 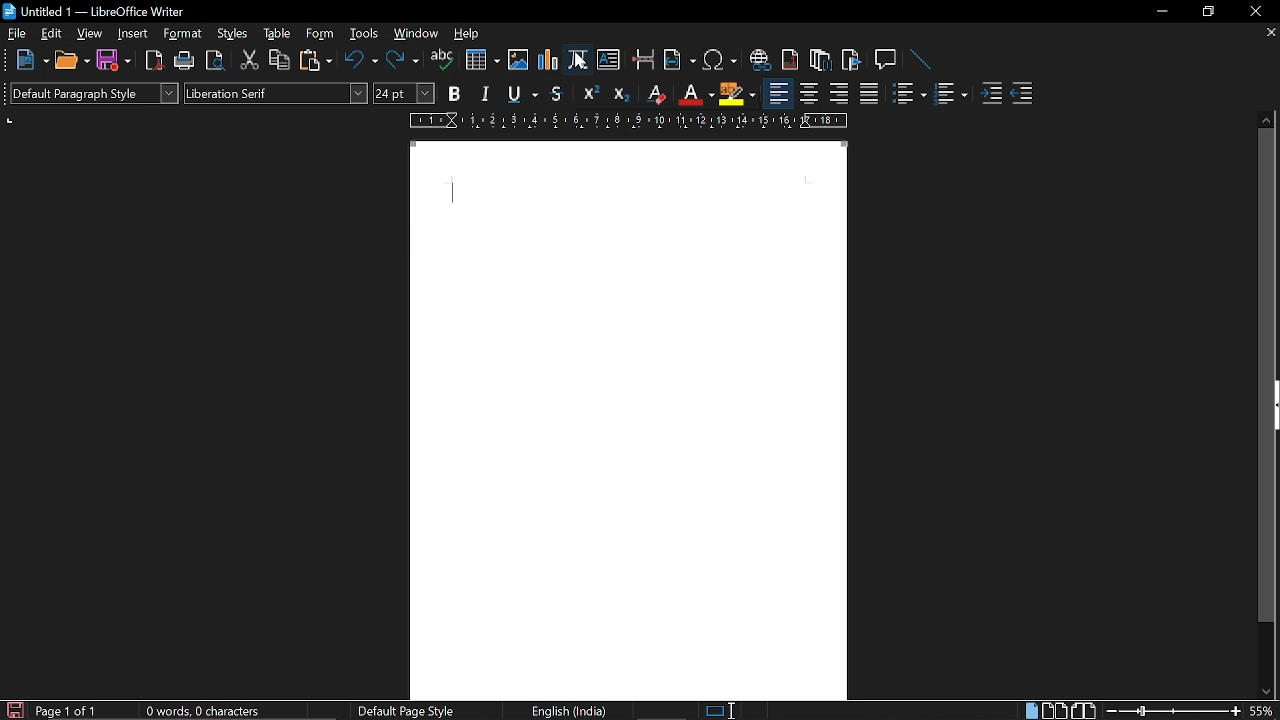 What do you see at coordinates (51, 34) in the screenshot?
I see `edit` at bounding box center [51, 34].